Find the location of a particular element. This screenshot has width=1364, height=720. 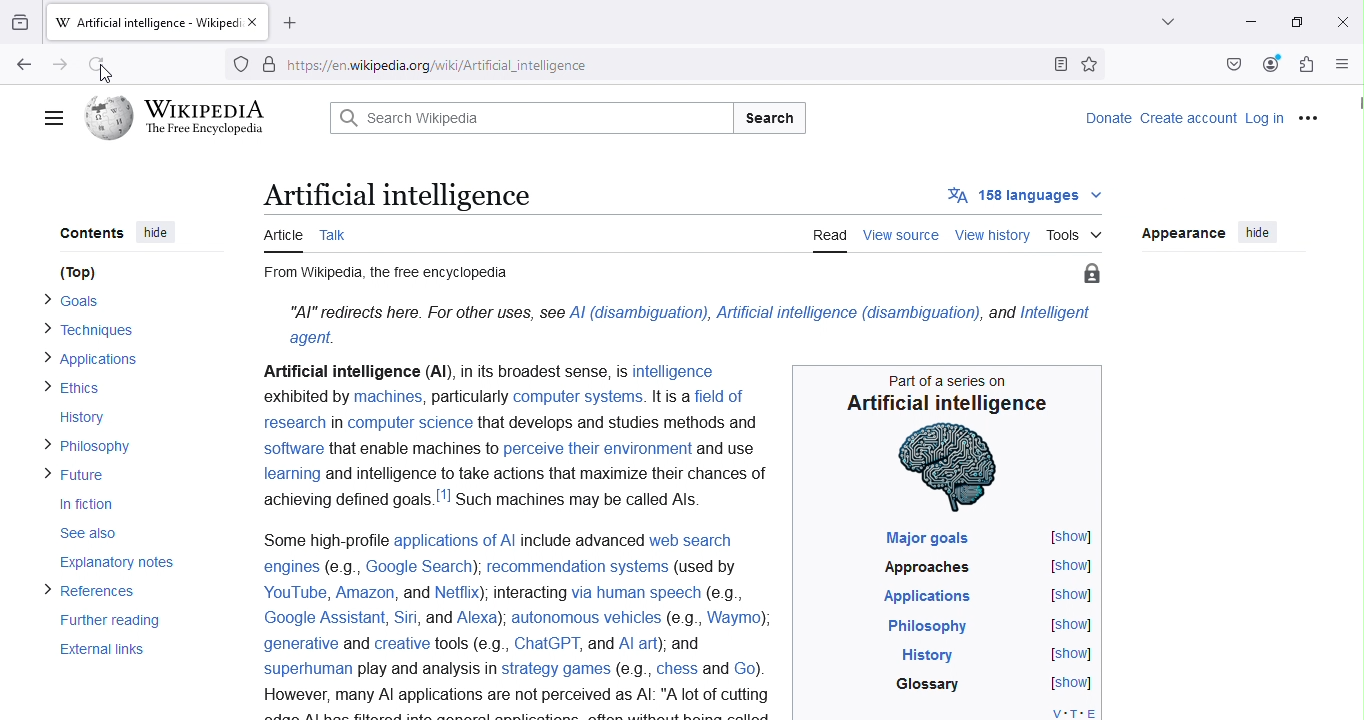

W Artificial intelligence - Wikiped: is located at coordinates (142, 23).